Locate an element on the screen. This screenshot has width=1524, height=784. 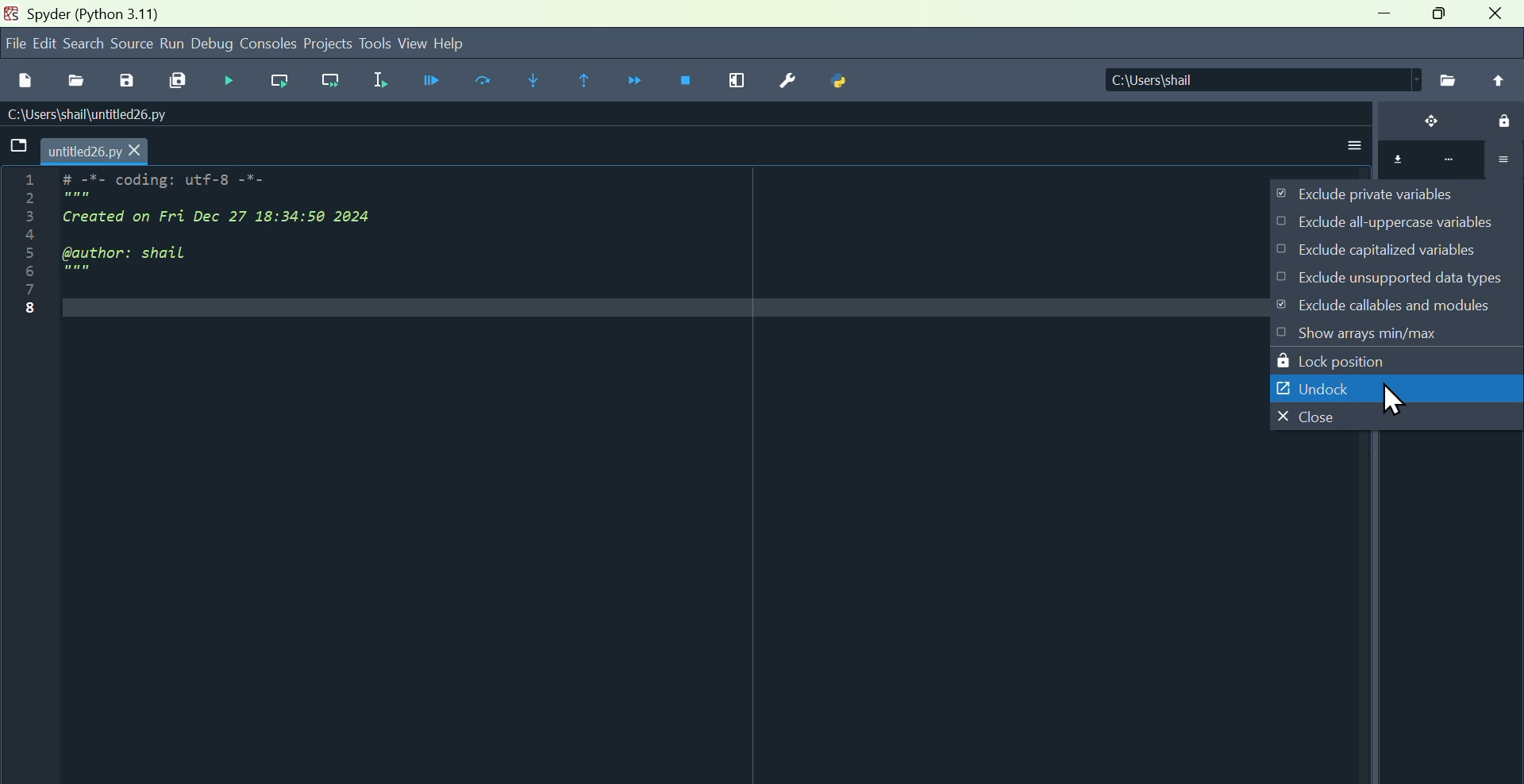
Source is located at coordinates (132, 44).